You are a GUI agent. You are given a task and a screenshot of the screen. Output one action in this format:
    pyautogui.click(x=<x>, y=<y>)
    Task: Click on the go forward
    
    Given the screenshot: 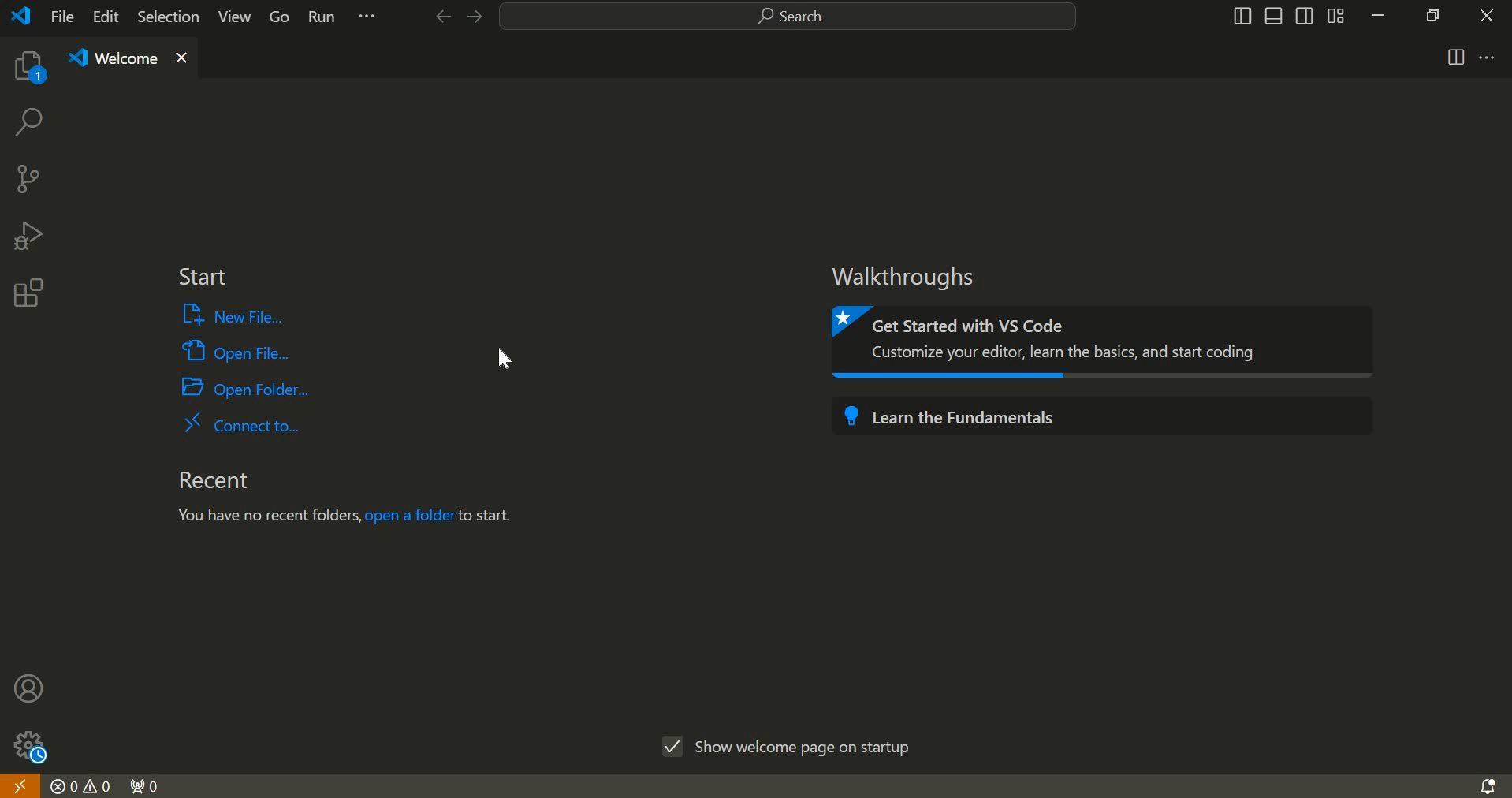 What is the action you would take?
    pyautogui.click(x=472, y=17)
    